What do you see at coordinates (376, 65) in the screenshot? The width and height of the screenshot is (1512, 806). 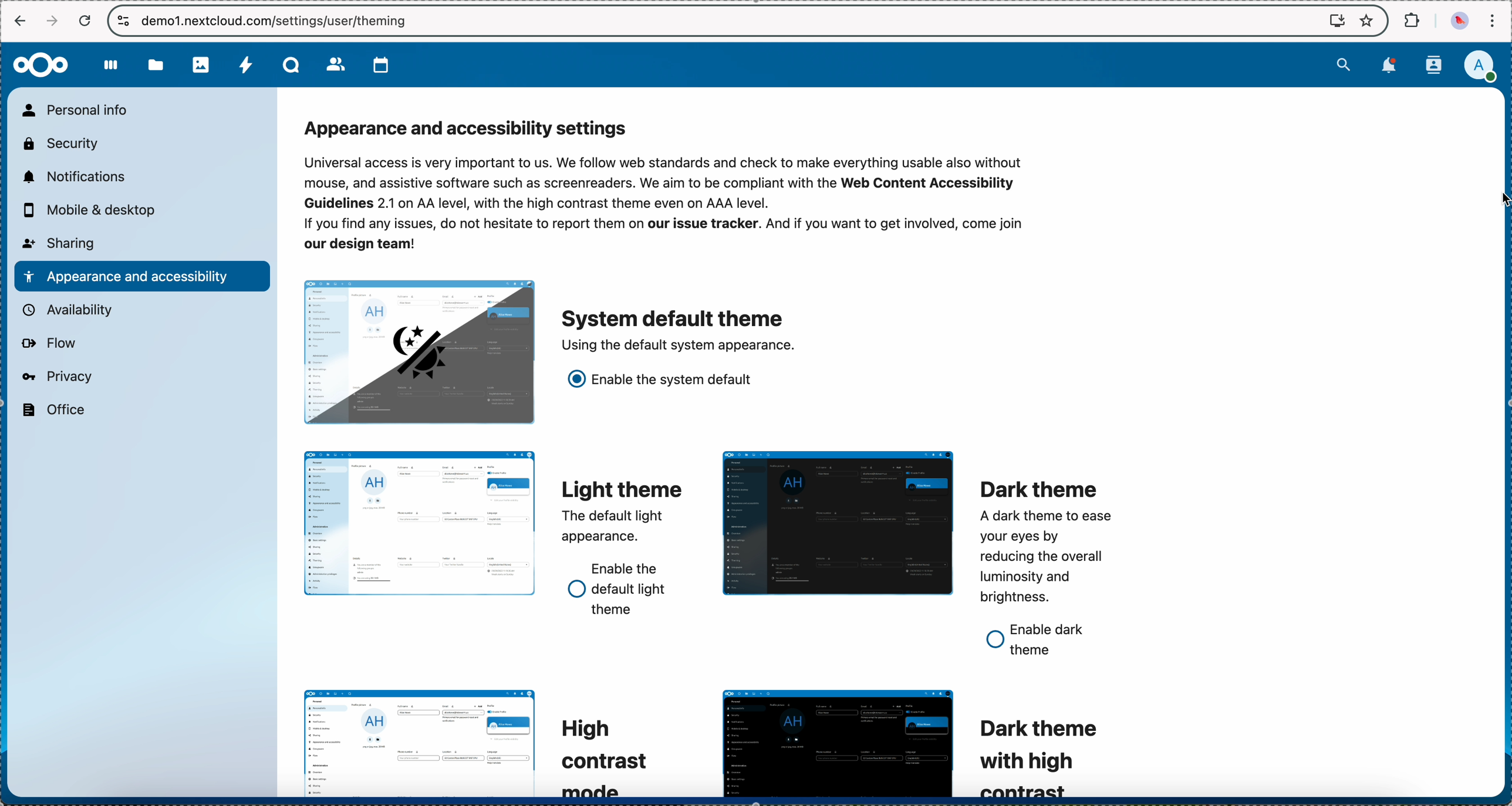 I see `calendar` at bounding box center [376, 65].